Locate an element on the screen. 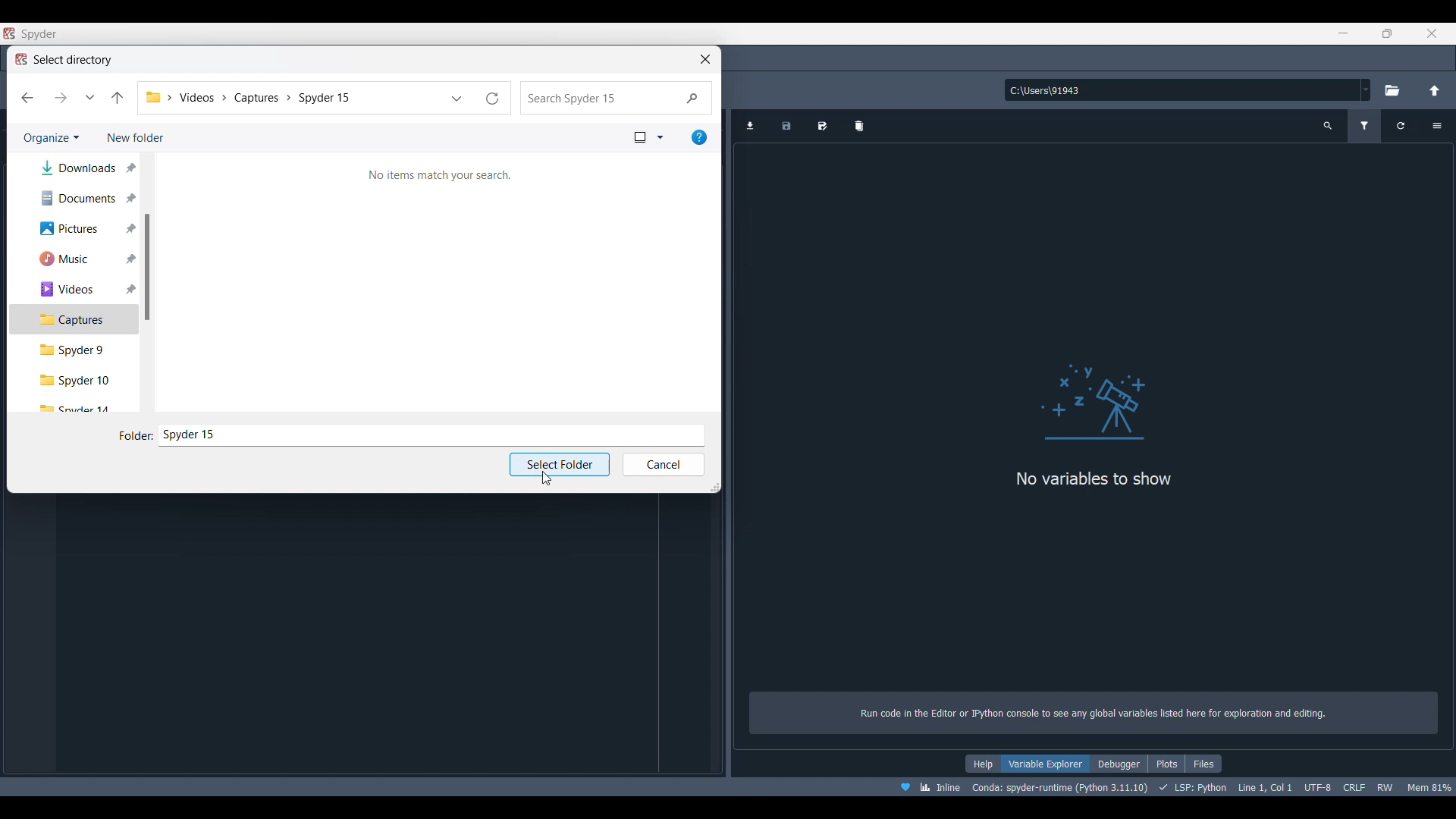  Save data is located at coordinates (787, 126).